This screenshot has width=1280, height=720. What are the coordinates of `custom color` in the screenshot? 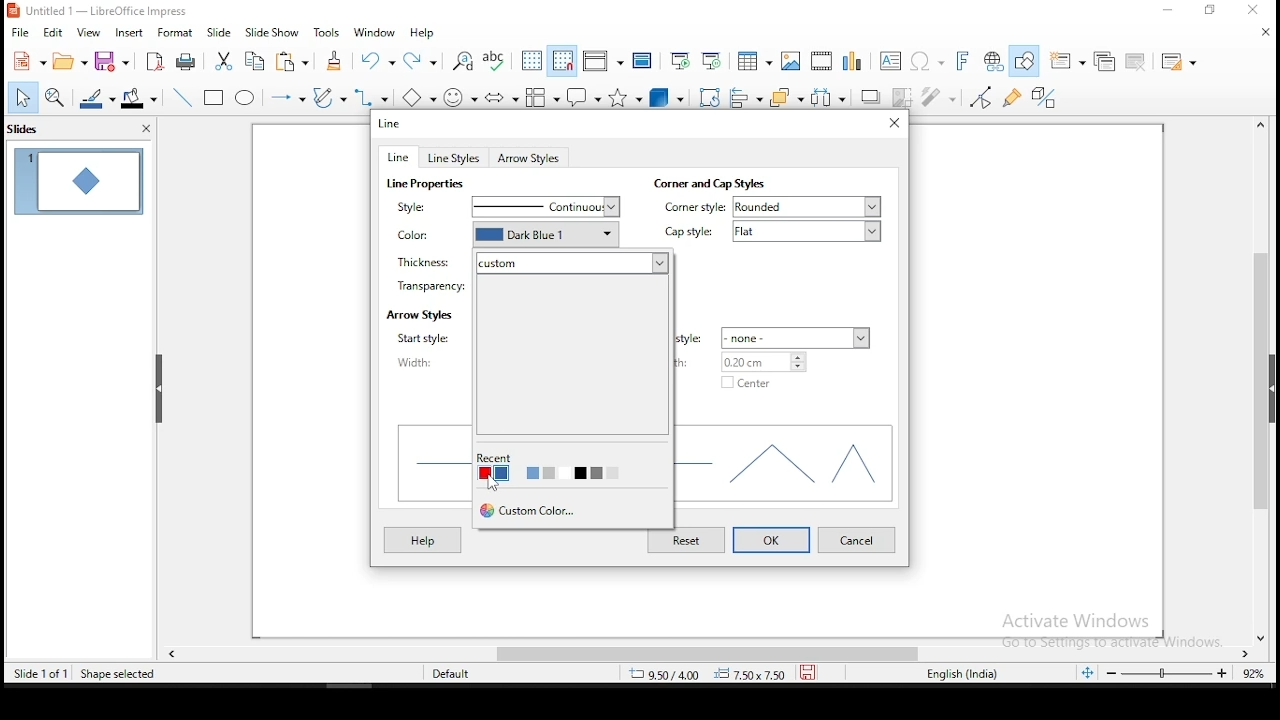 It's located at (530, 509).